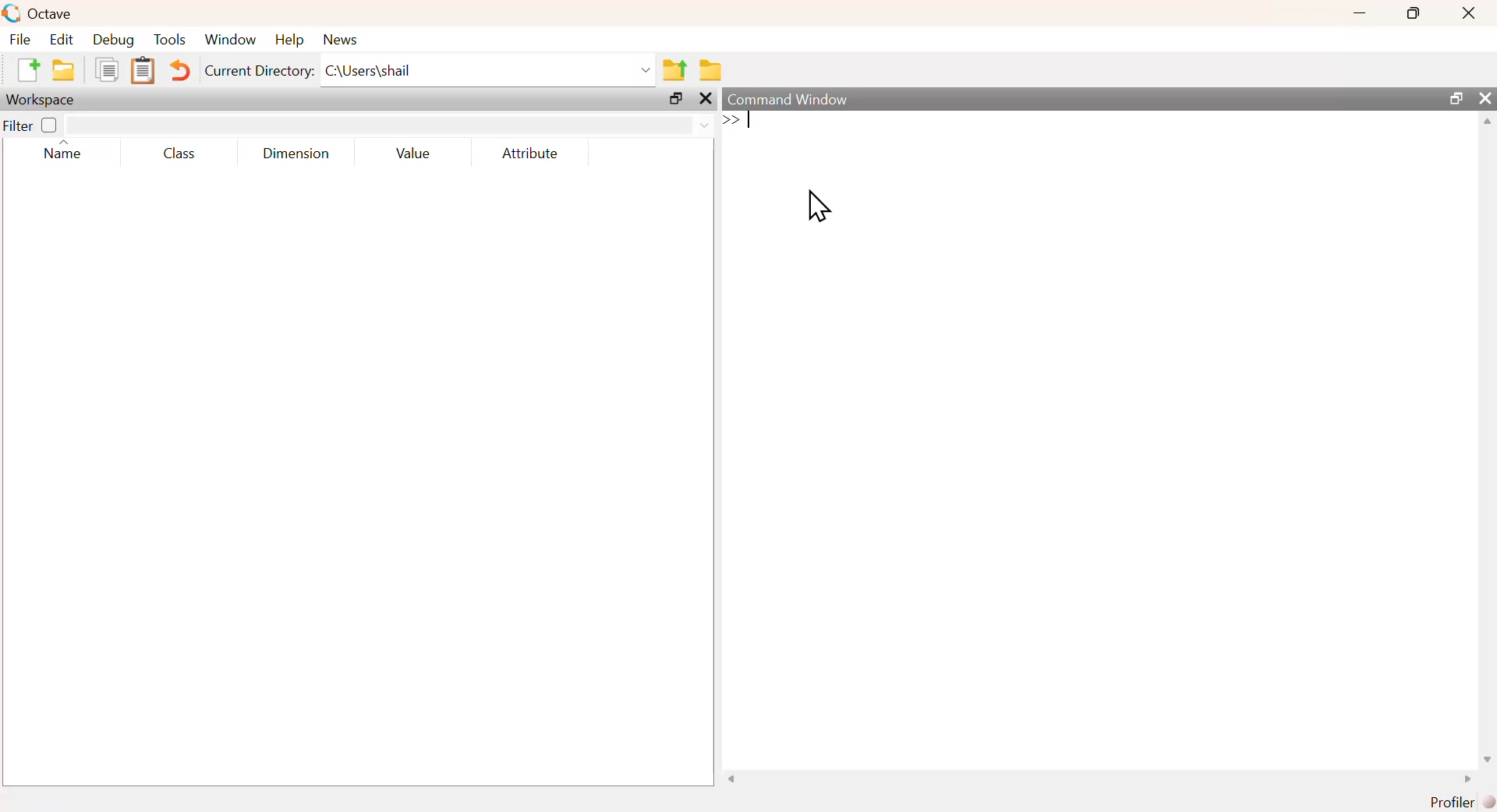 The height and width of the screenshot is (812, 1497). Describe the element at coordinates (231, 40) in the screenshot. I see `Window` at that location.